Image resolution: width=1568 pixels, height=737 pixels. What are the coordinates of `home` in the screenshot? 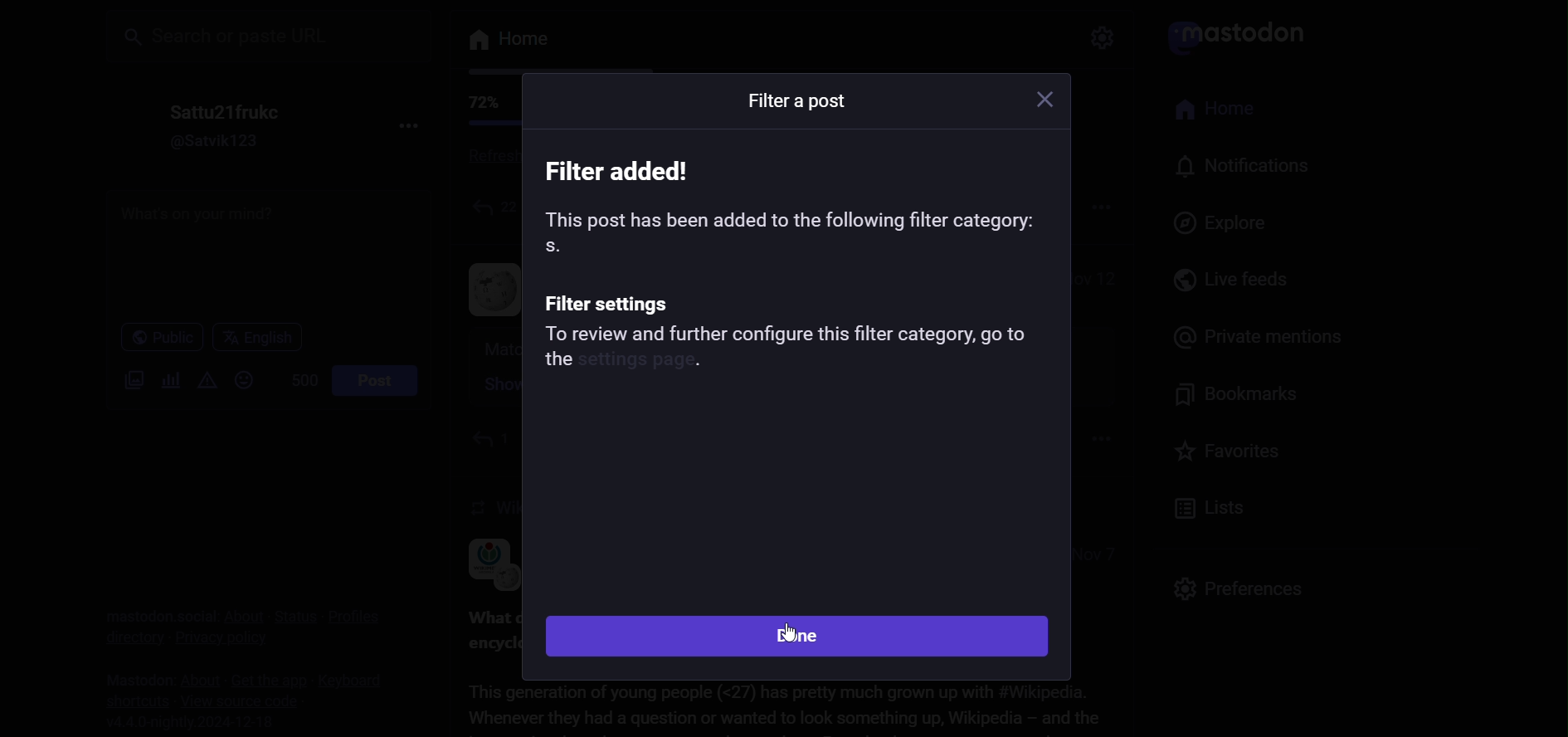 It's located at (1226, 111).